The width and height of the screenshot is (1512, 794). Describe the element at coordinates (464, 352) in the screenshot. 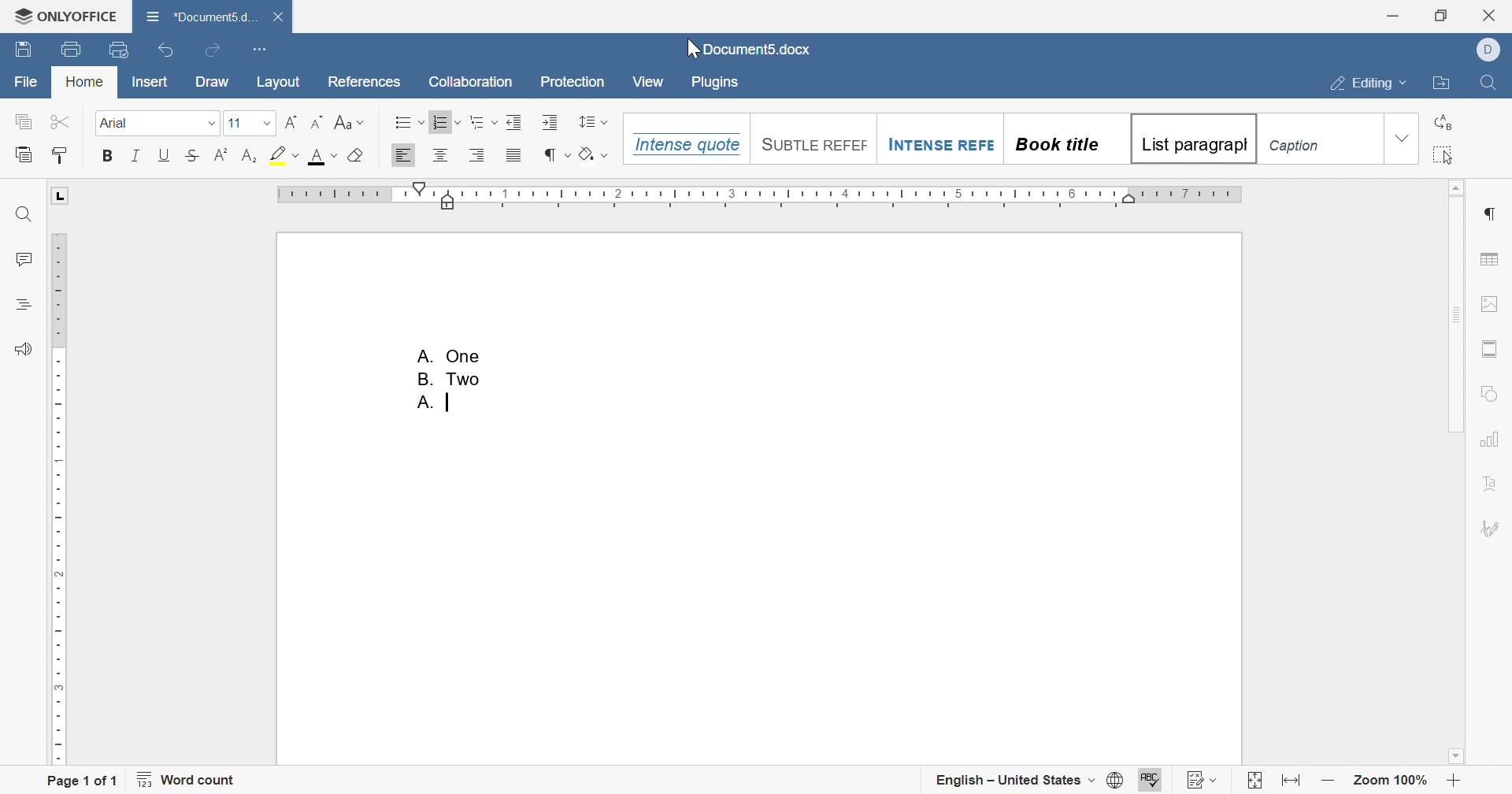

I see `cut` at that location.